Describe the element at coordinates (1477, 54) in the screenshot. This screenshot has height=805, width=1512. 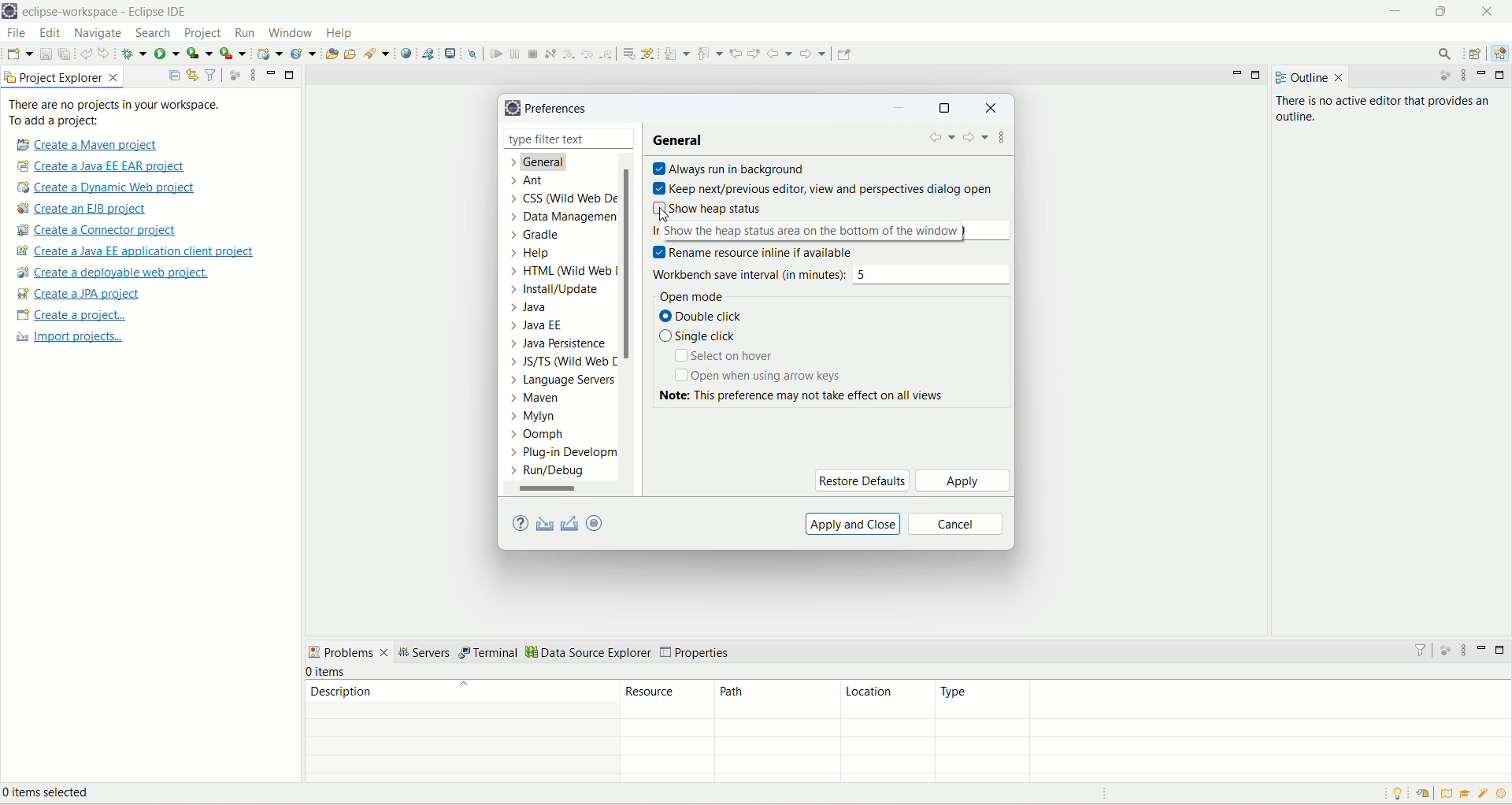
I see `other perspective` at that location.